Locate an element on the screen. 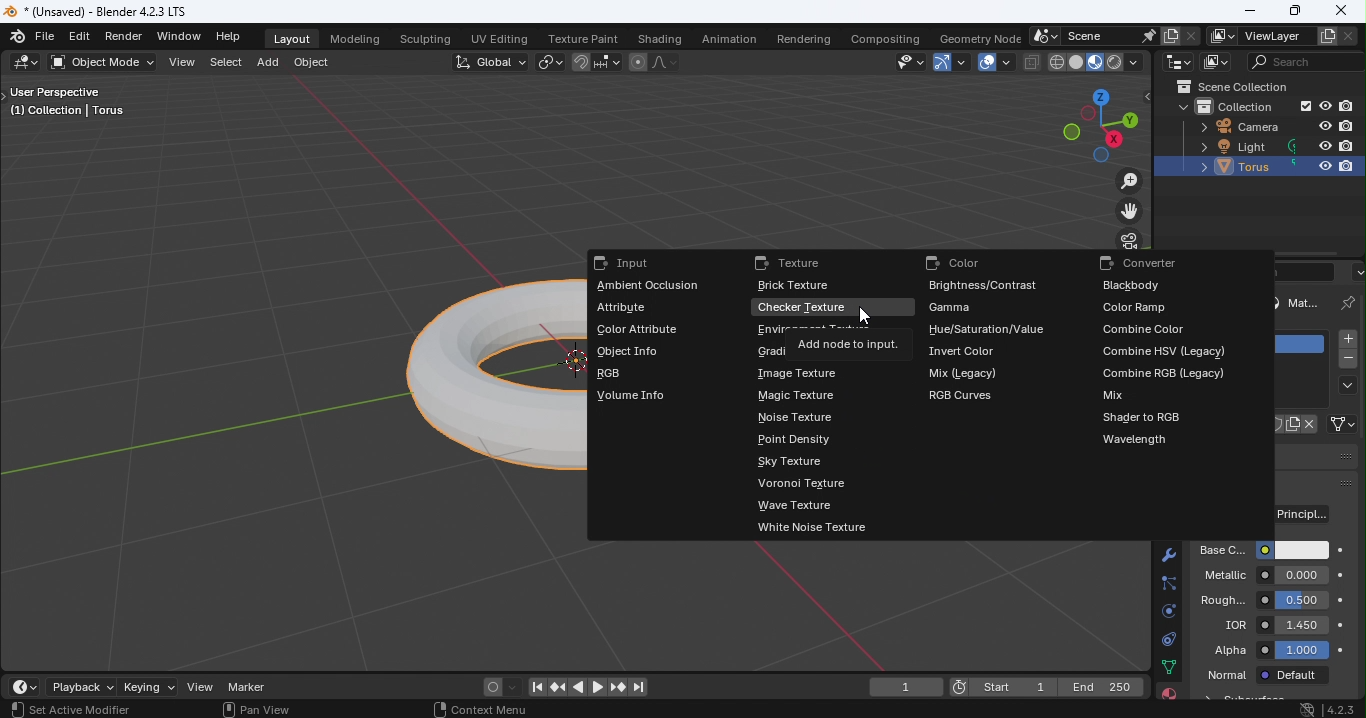 Image resolution: width=1366 pixels, height=718 pixels. Hide in viewpoint is located at coordinates (1324, 106).